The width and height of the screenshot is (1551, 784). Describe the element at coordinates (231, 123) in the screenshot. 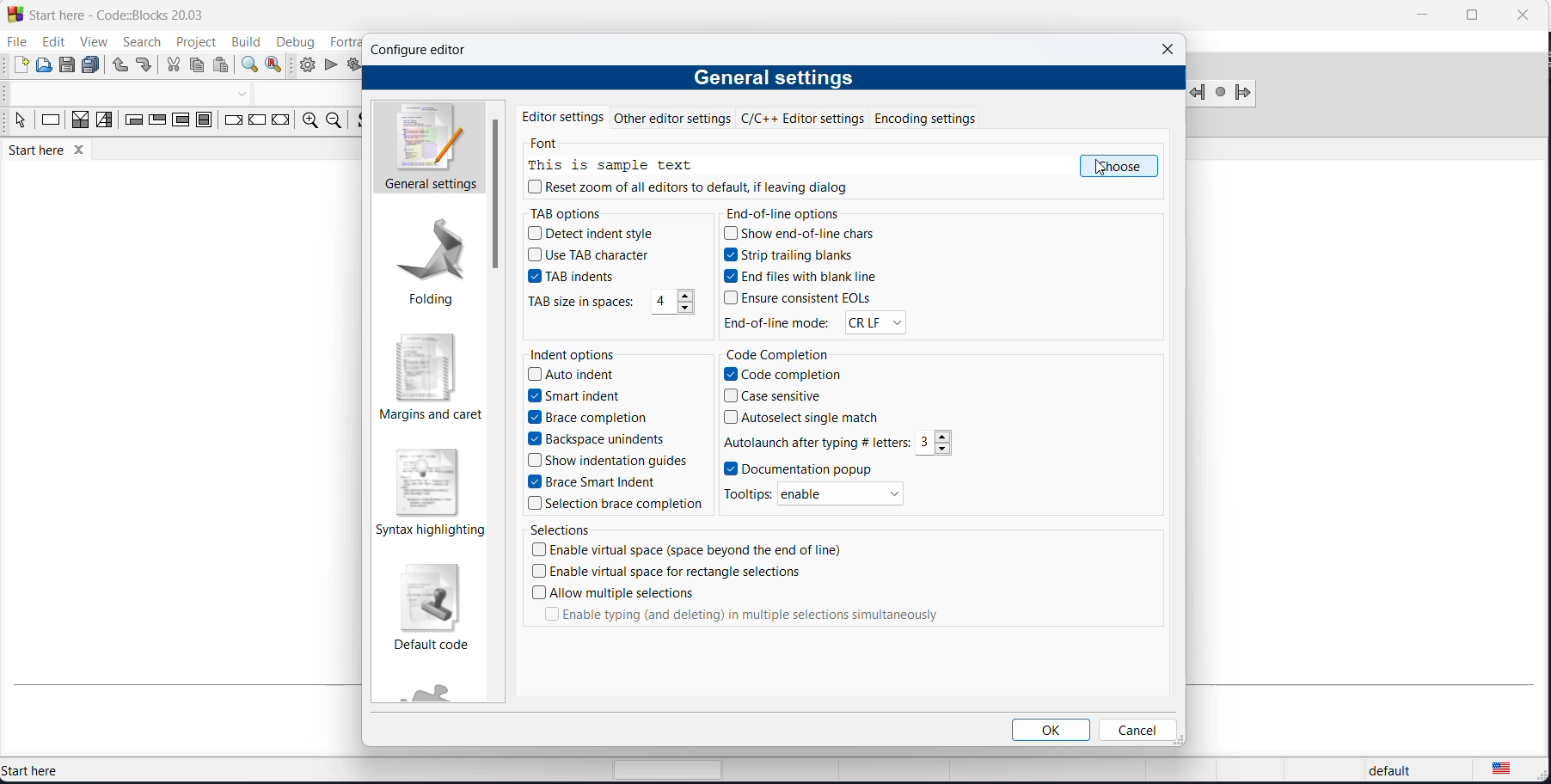

I see `break instruction` at that location.